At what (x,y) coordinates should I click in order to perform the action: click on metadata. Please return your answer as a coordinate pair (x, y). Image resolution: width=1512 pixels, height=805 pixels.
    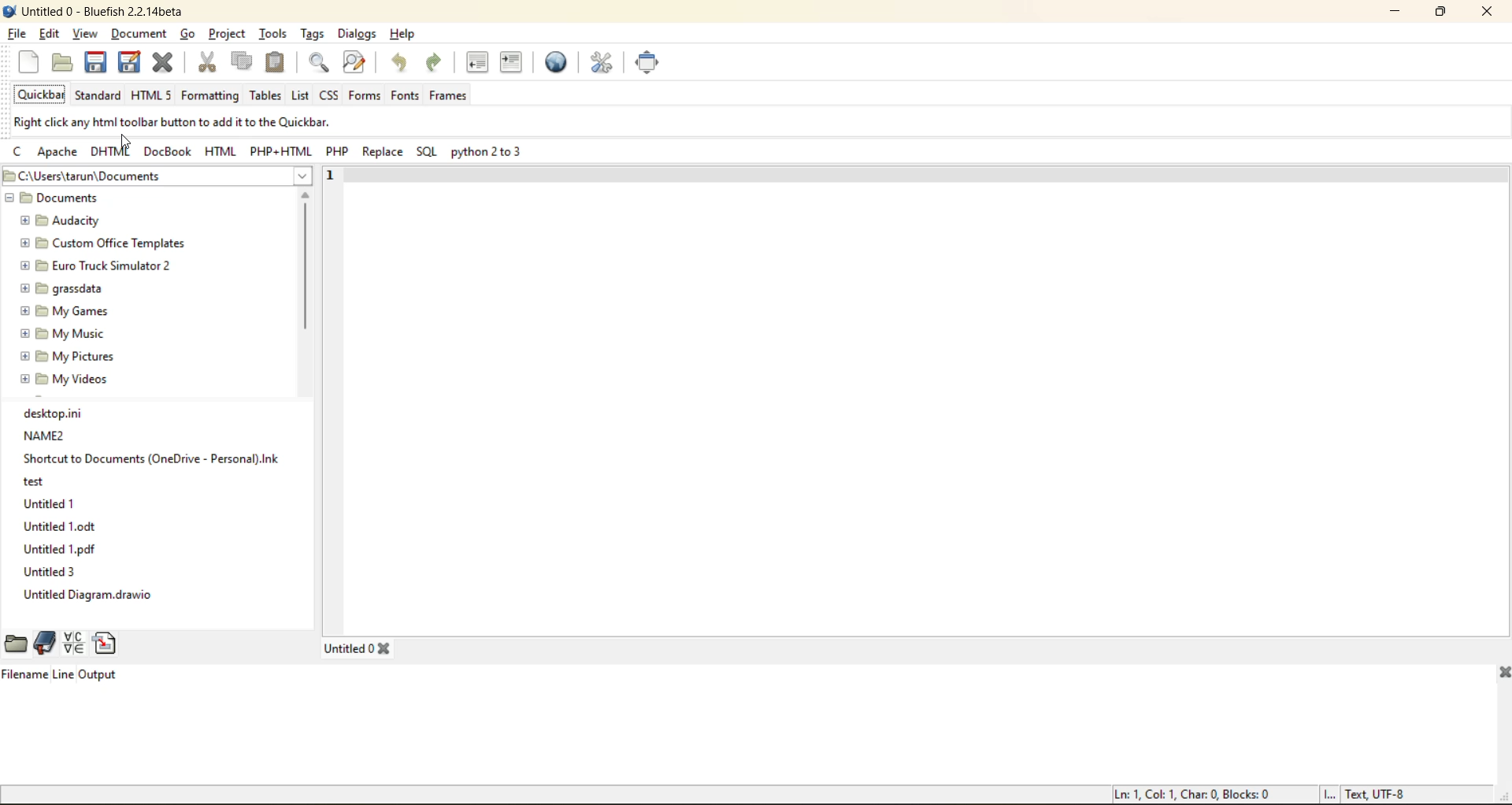
    Looking at the image, I should click on (180, 124).